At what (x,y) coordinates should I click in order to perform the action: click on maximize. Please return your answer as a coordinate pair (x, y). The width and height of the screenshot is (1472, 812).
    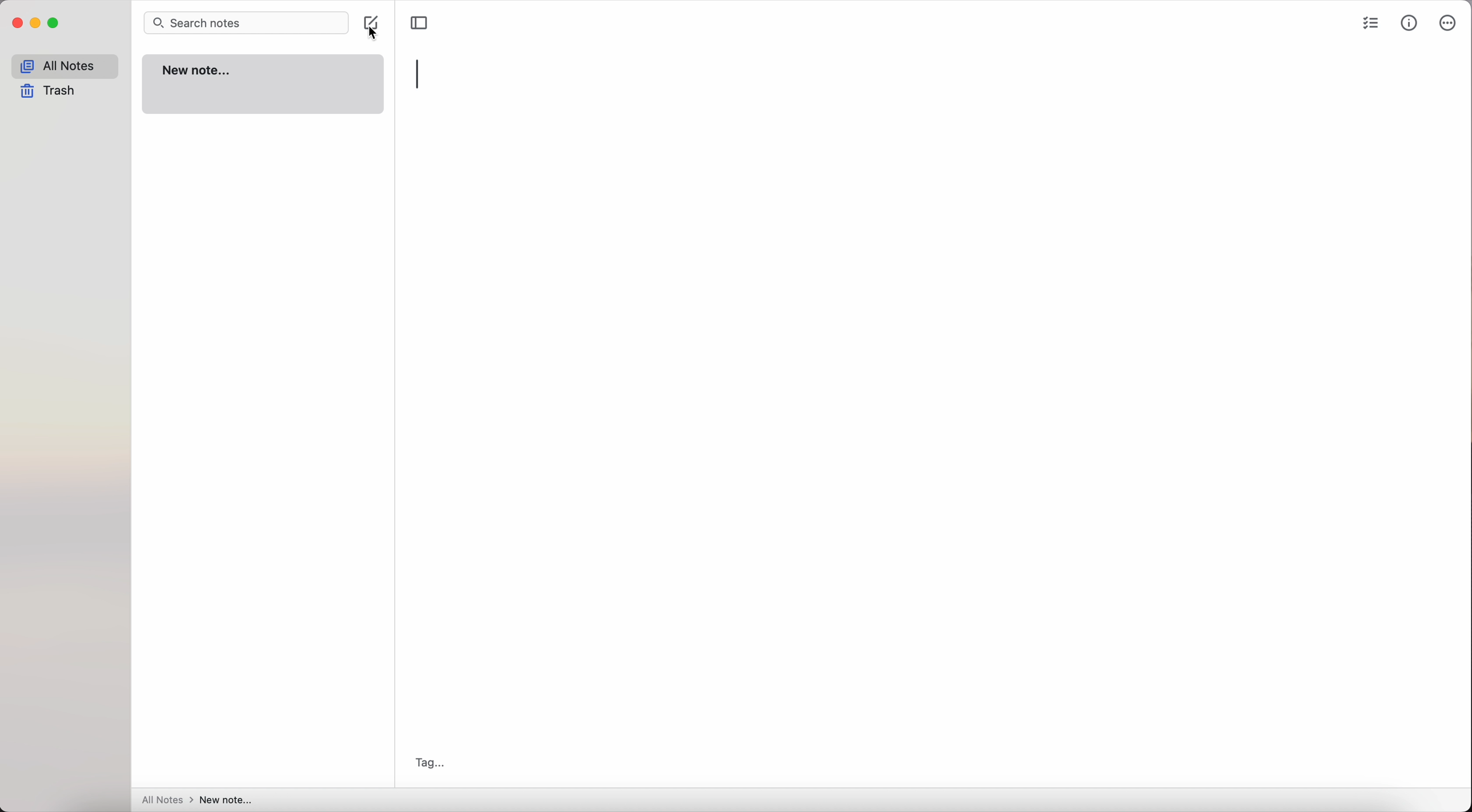
    Looking at the image, I should click on (54, 25).